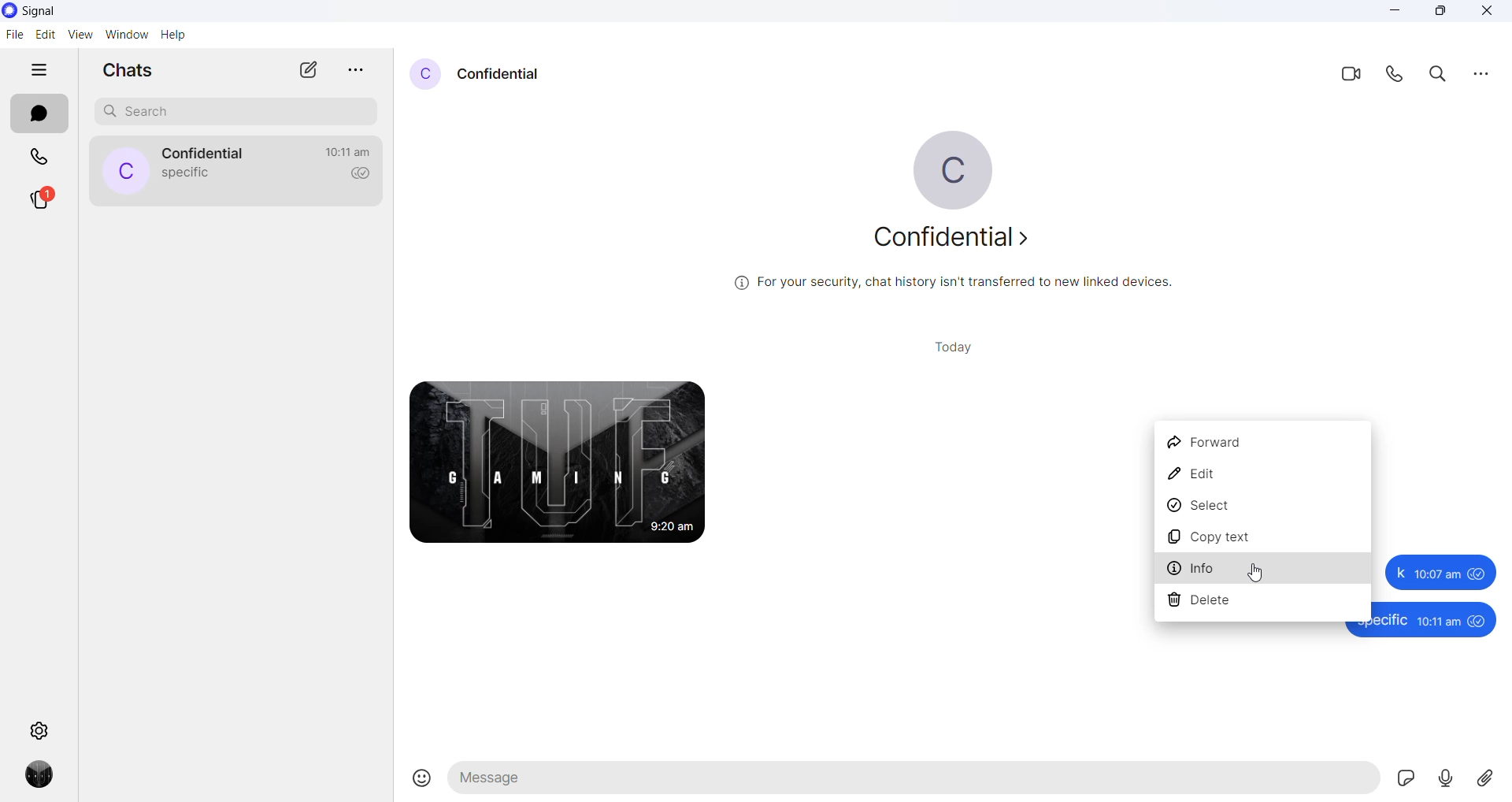 This screenshot has height=802, width=1512. I want to click on edit, so click(45, 35).